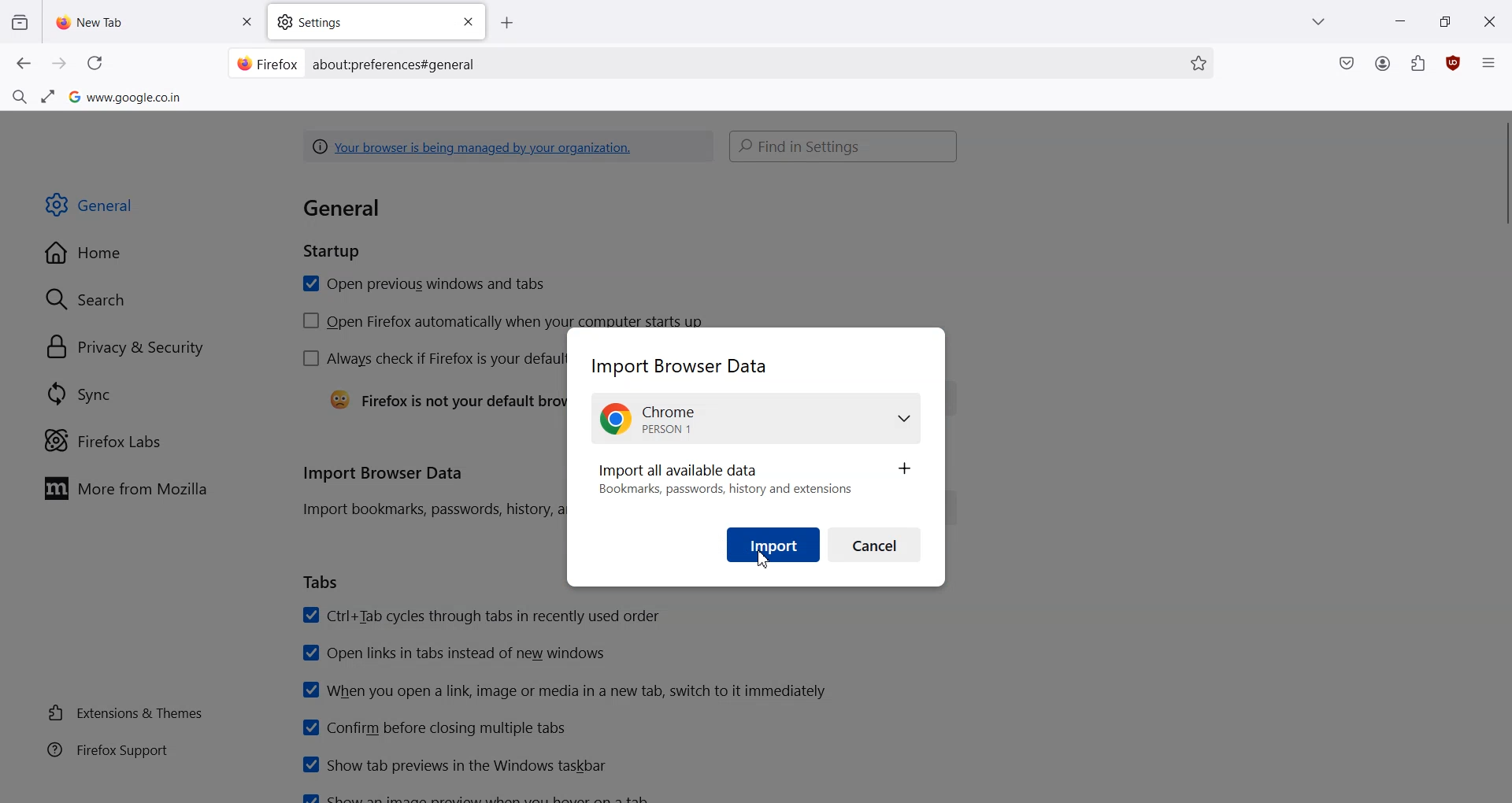 This screenshot has height=803, width=1512. Describe the element at coordinates (106, 440) in the screenshot. I see `Firefox Labs` at that location.